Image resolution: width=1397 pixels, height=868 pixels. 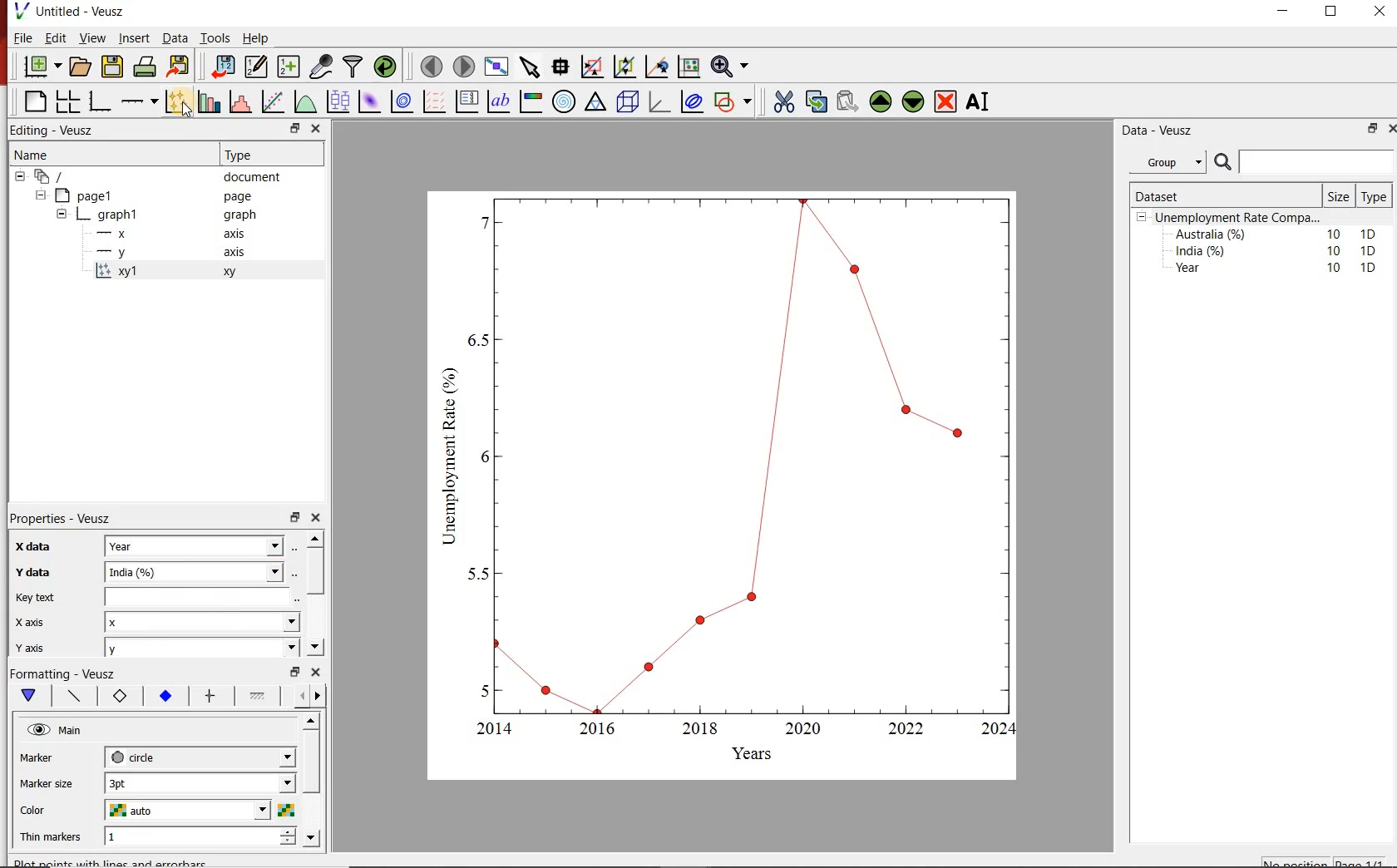 What do you see at coordinates (72, 731) in the screenshot?
I see `Main` at bounding box center [72, 731].